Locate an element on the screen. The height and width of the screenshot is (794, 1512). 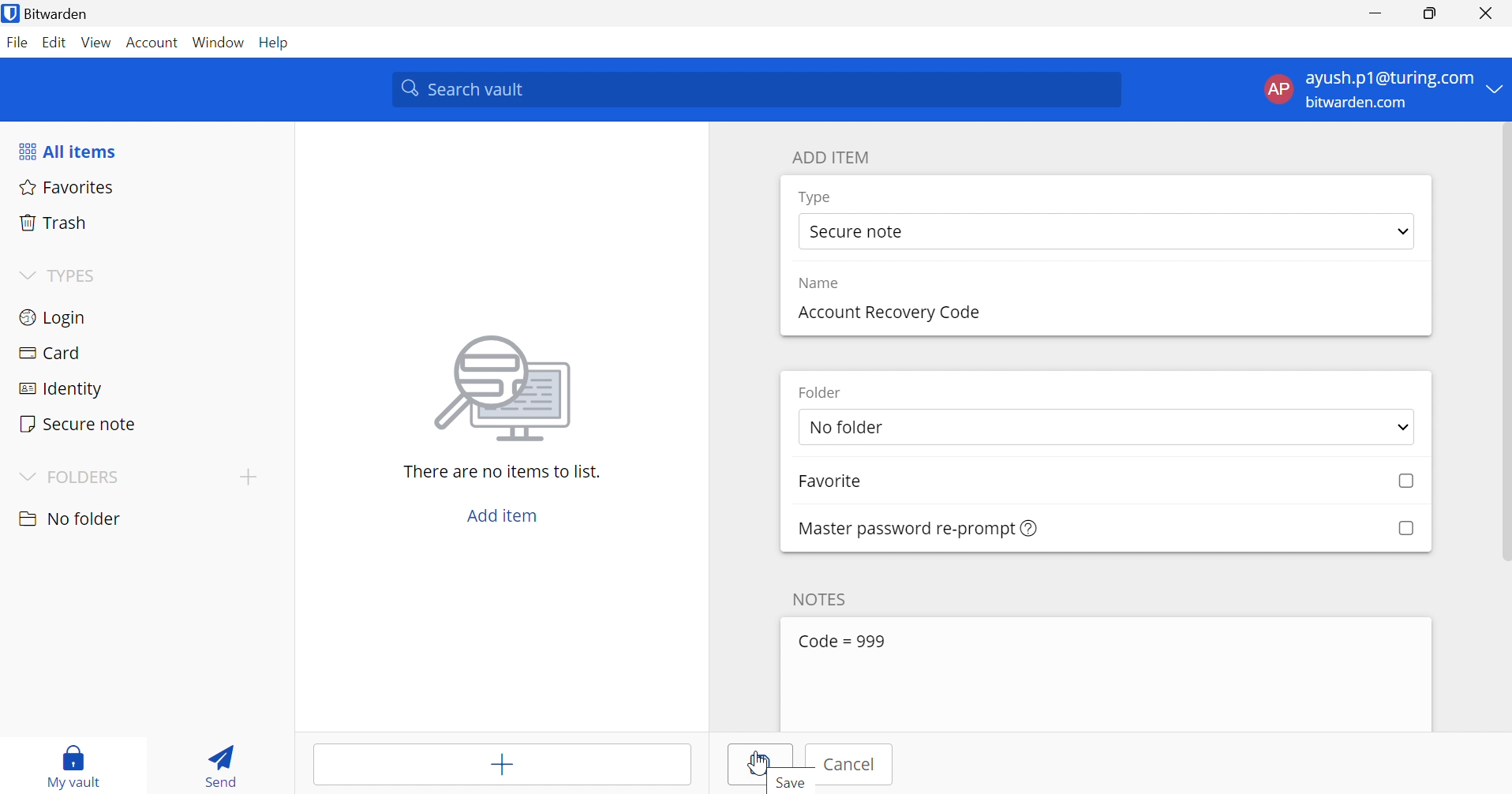
TYPES is located at coordinates (76, 277).